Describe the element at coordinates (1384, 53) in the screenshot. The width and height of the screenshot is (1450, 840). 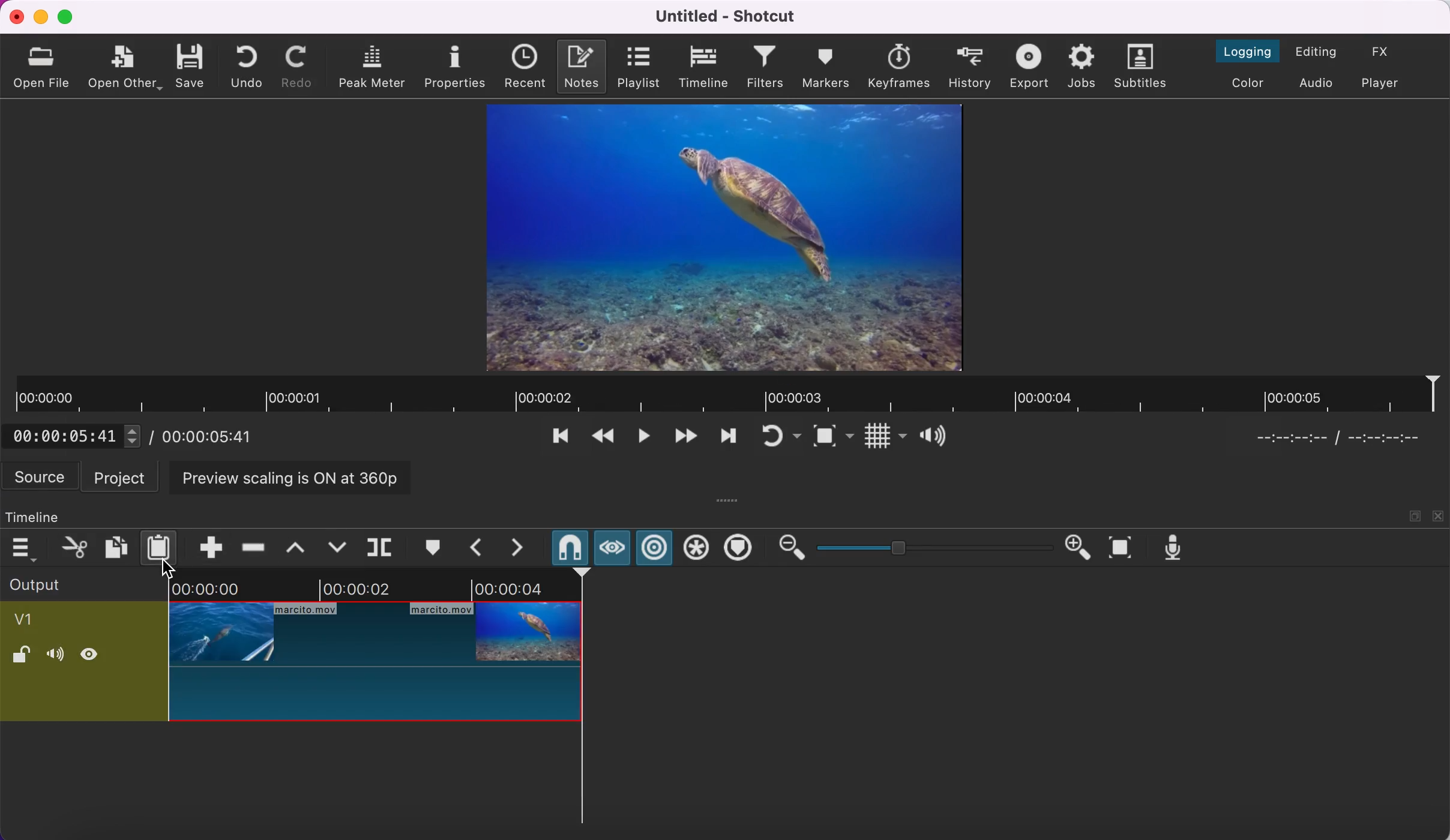
I see `switch to the effects layout` at that location.